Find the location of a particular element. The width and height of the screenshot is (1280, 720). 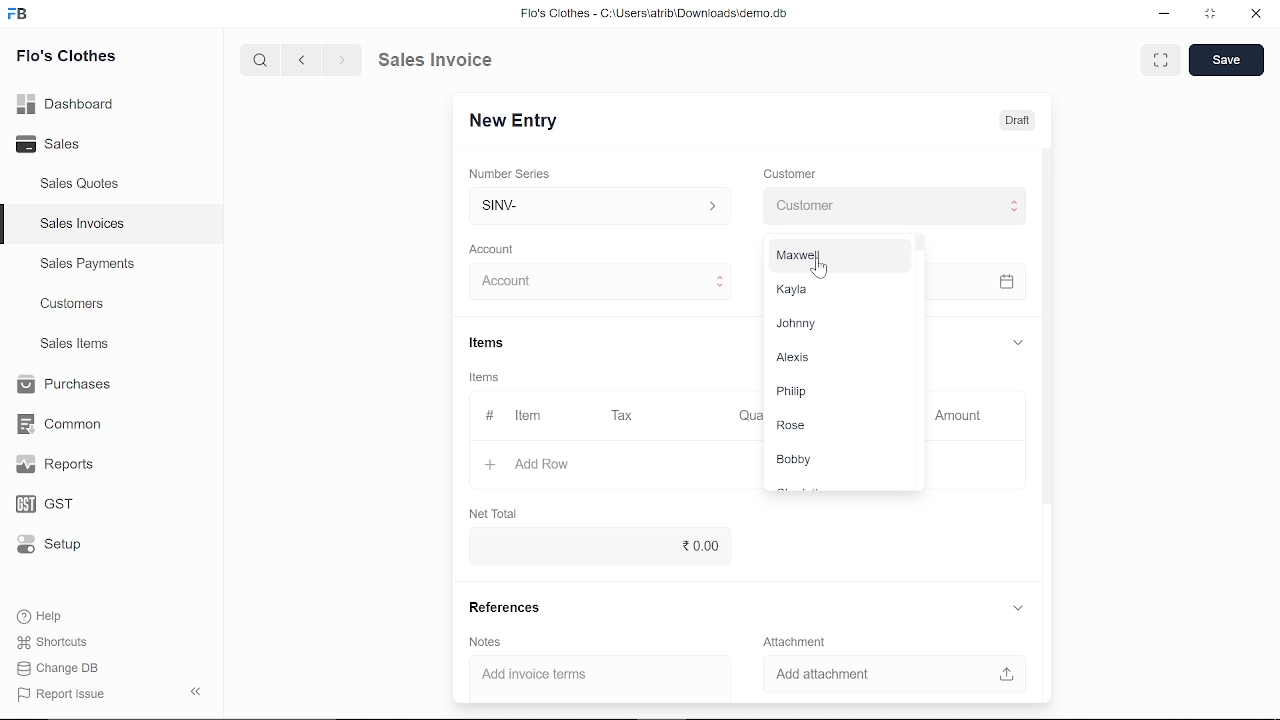

expand is located at coordinates (1019, 609).